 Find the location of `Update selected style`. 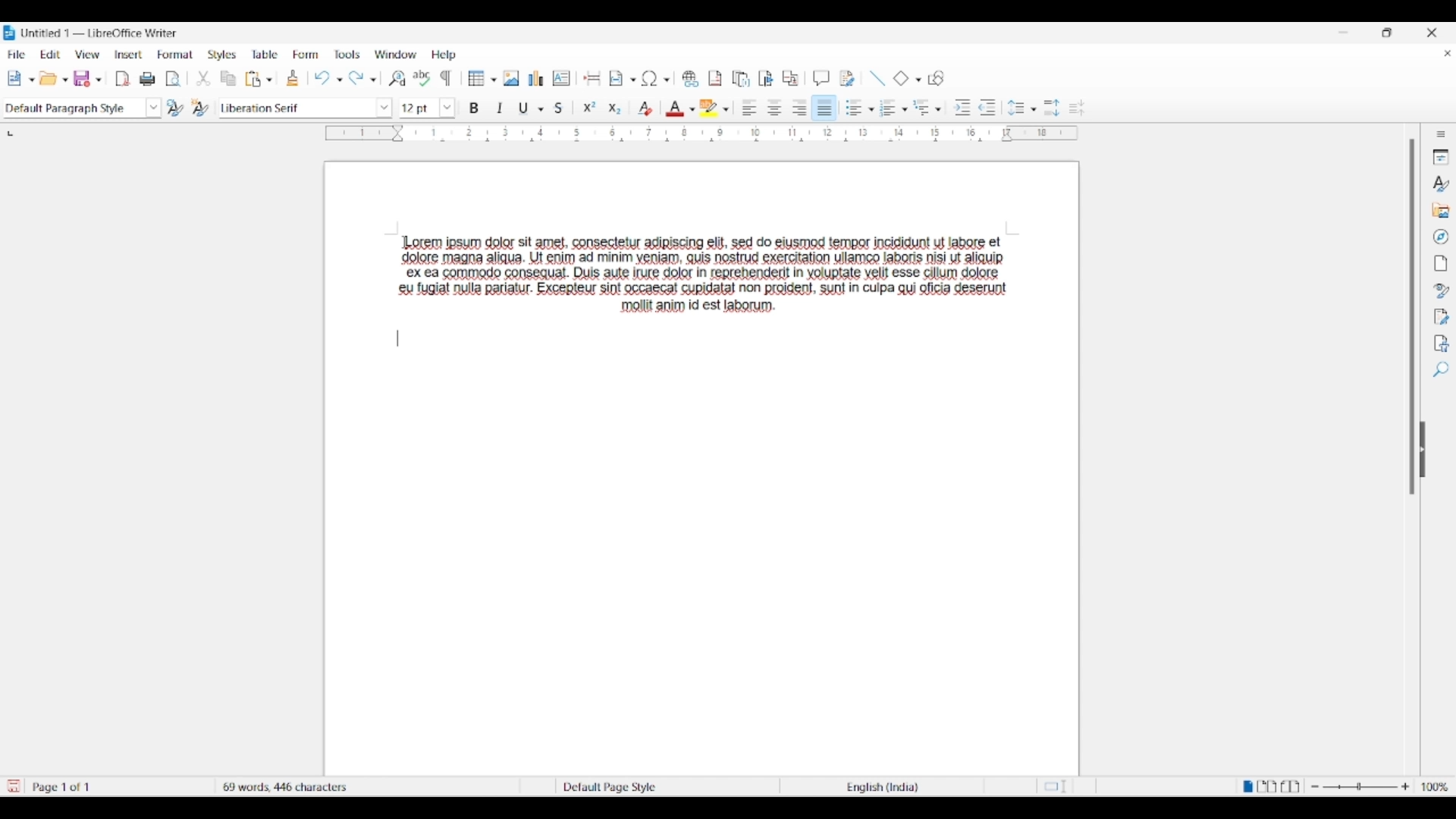

Update selected style is located at coordinates (176, 108).